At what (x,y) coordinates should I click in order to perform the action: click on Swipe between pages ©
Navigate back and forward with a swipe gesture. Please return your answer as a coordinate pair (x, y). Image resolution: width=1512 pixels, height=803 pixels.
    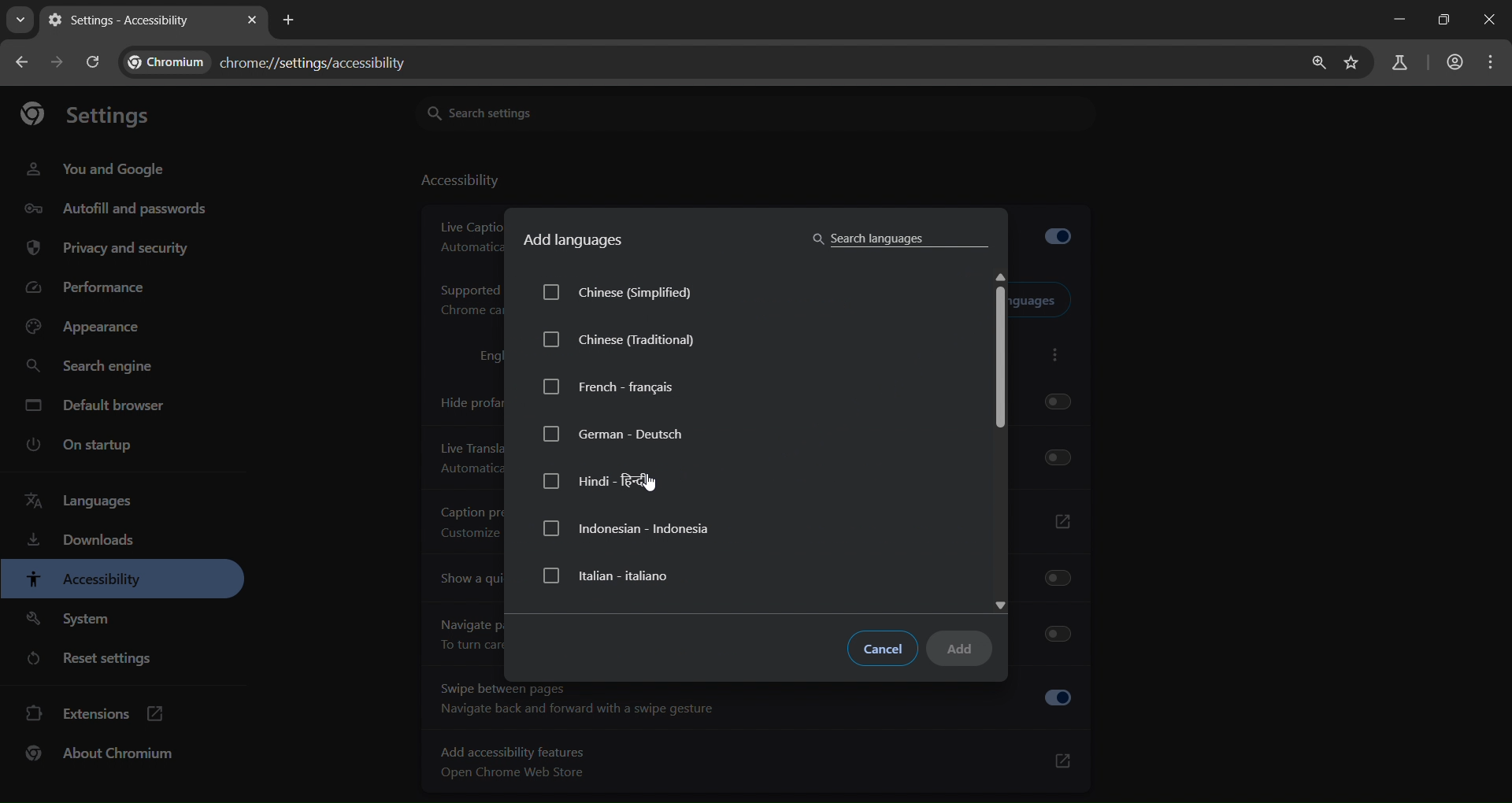
    Looking at the image, I should click on (754, 701).